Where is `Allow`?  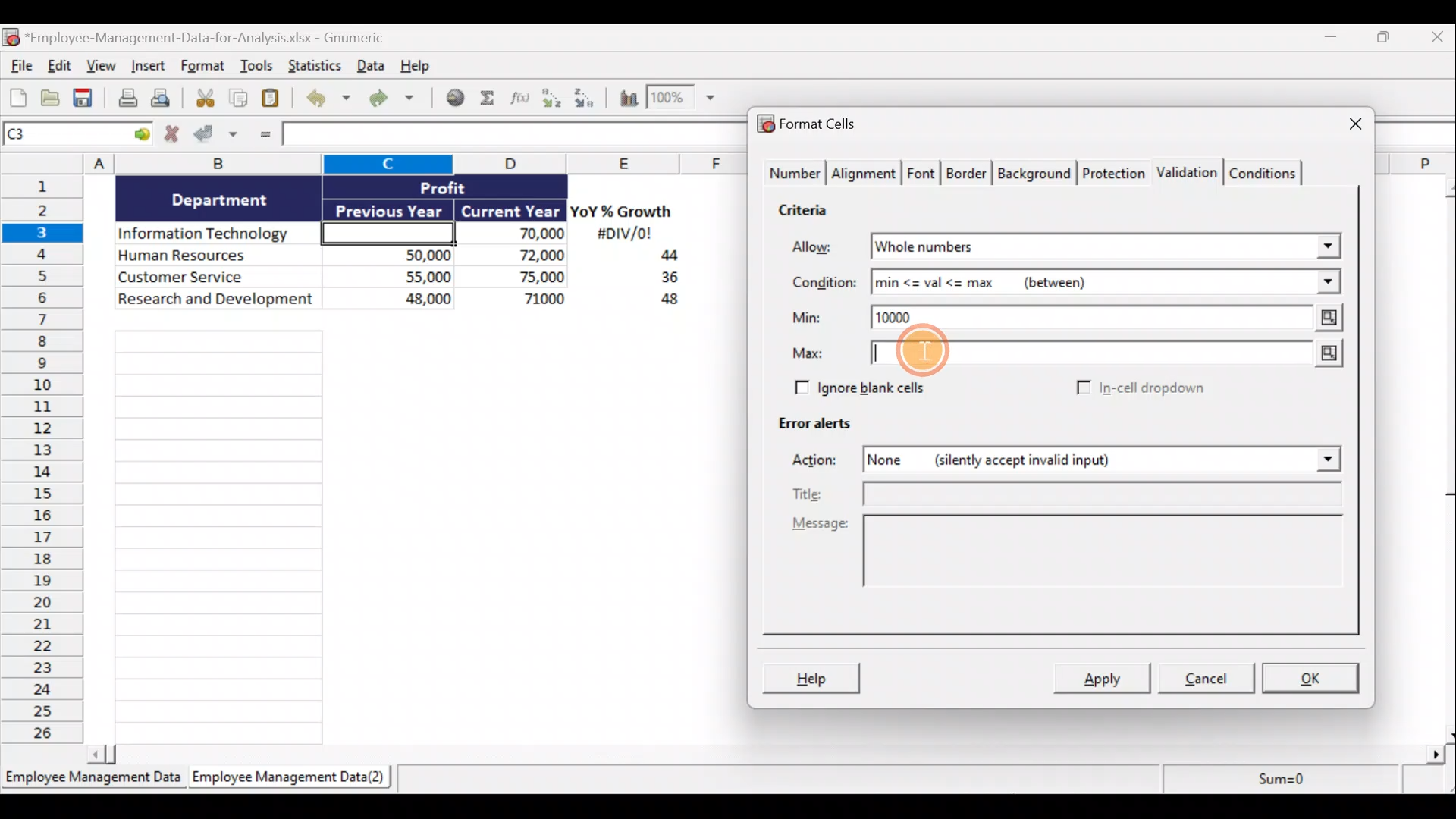 Allow is located at coordinates (823, 248).